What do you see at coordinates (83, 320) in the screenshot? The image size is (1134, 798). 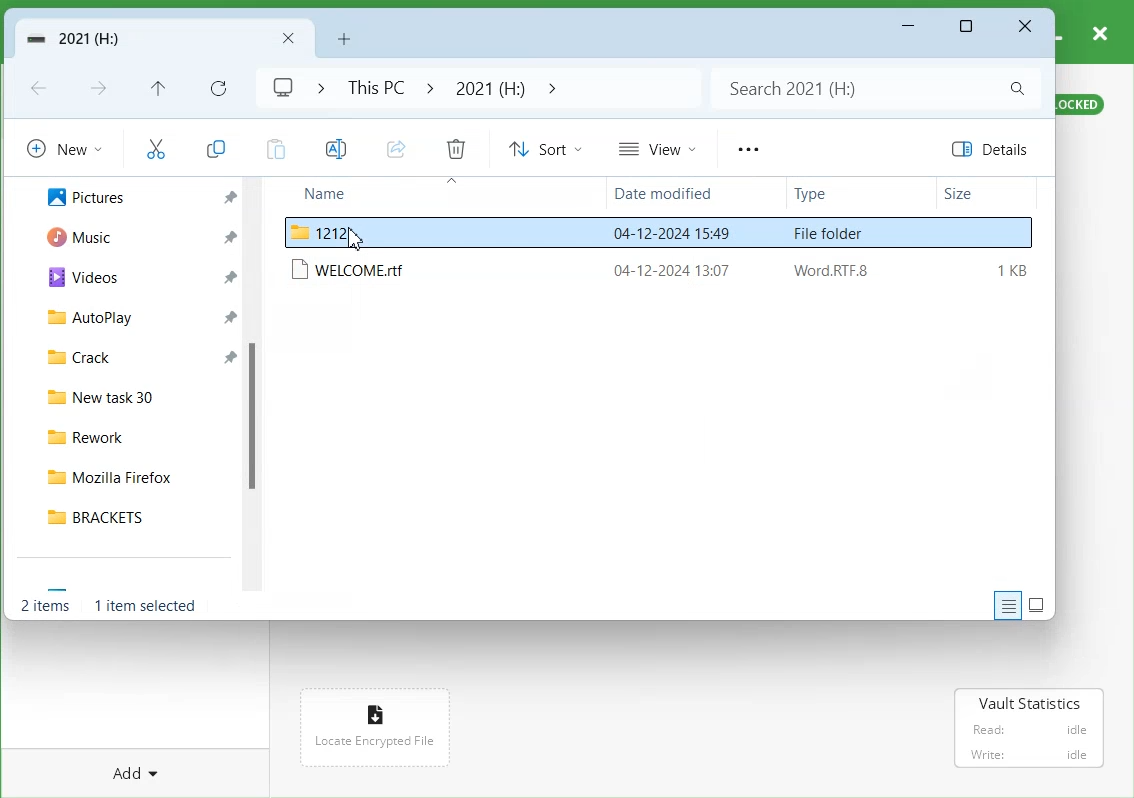 I see `AutoPlay` at bounding box center [83, 320].